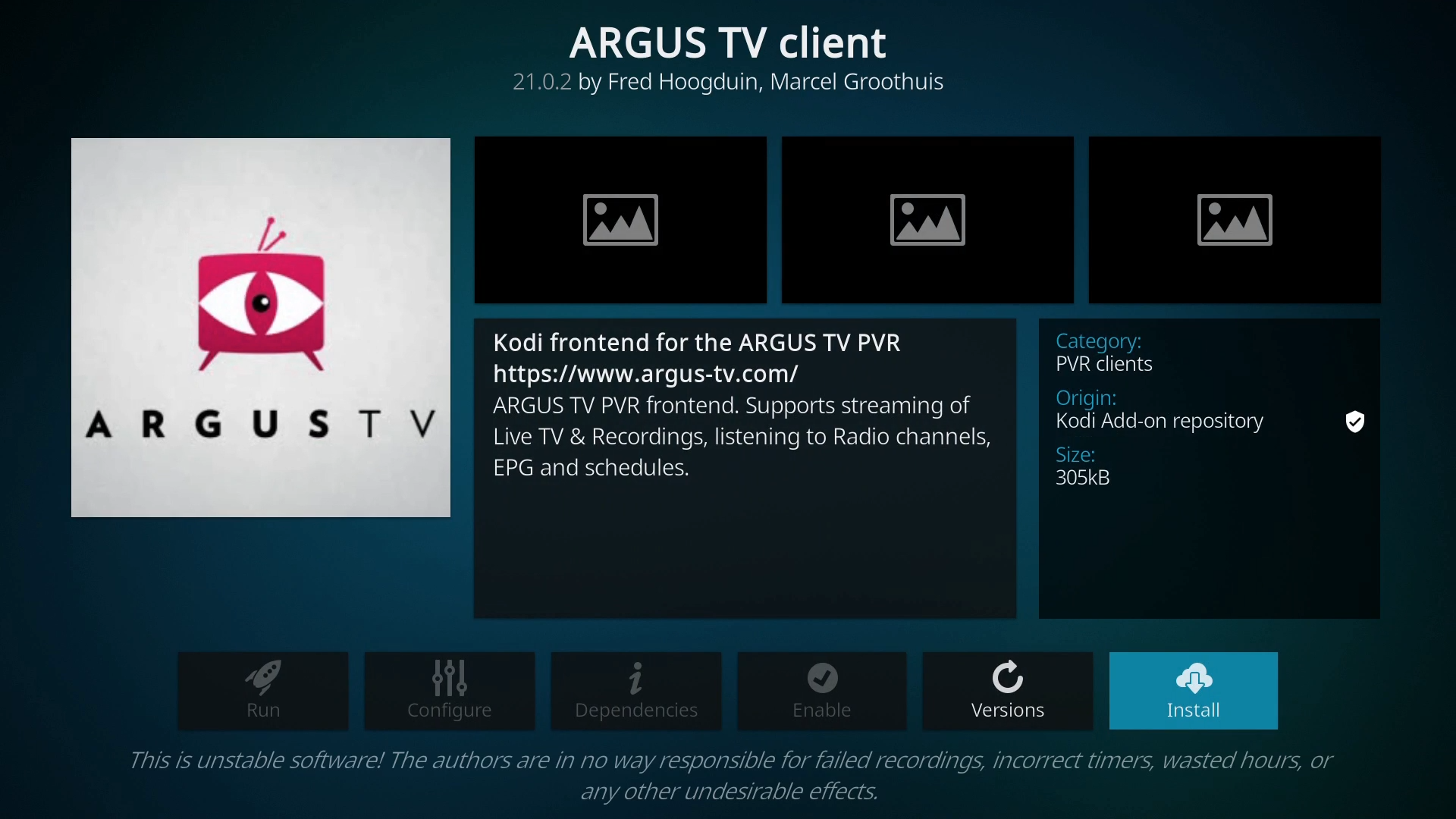 This screenshot has height=819, width=1456. What do you see at coordinates (1225, 415) in the screenshot?
I see `Category:

PVR clients

Origin:

Kodi Add-on repository
Size:

305kB` at bounding box center [1225, 415].